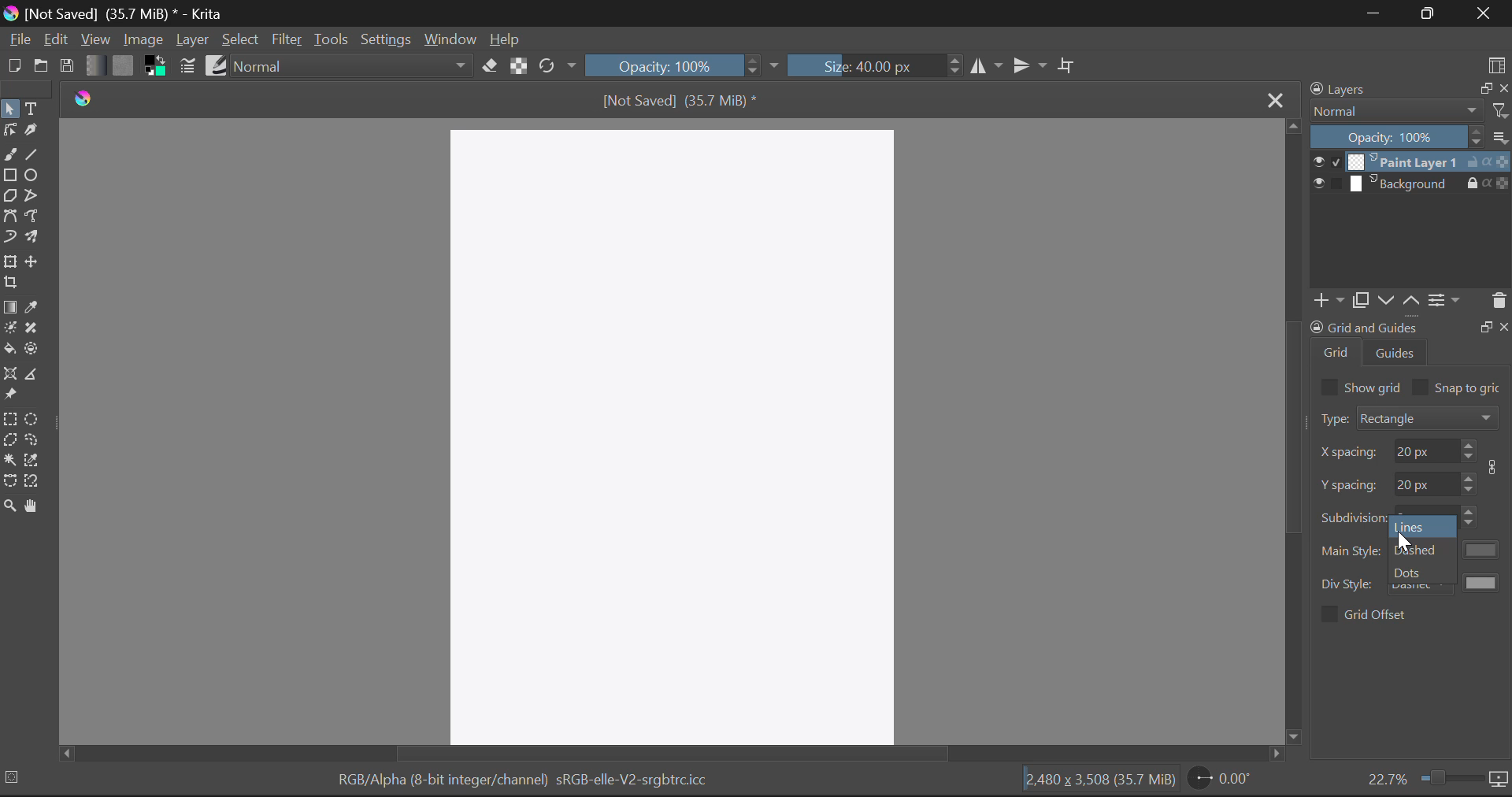  Describe the element at coordinates (9, 350) in the screenshot. I see `Fill` at that location.